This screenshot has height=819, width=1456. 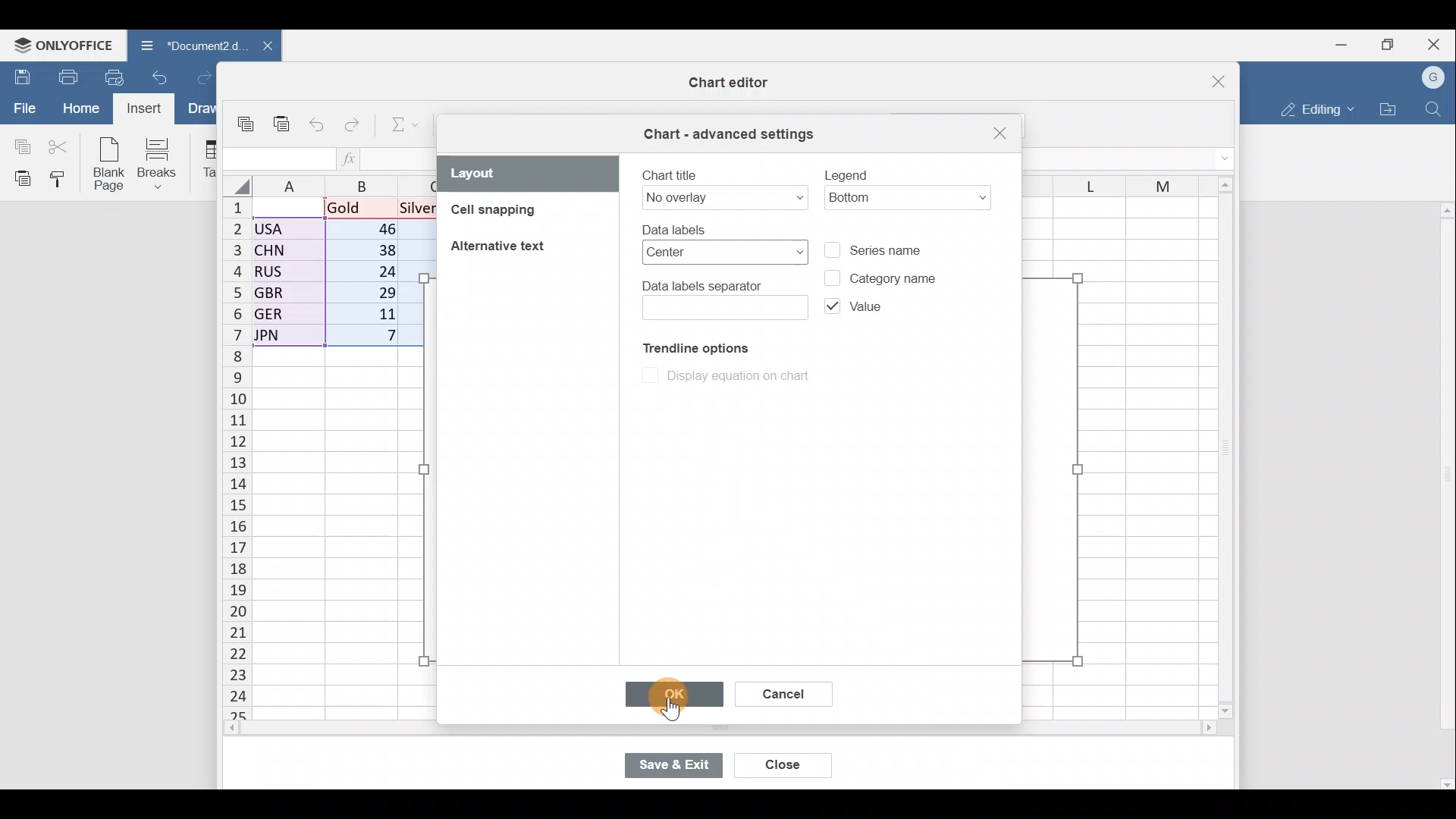 I want to click on Data labels, so click(x=715, y=244).